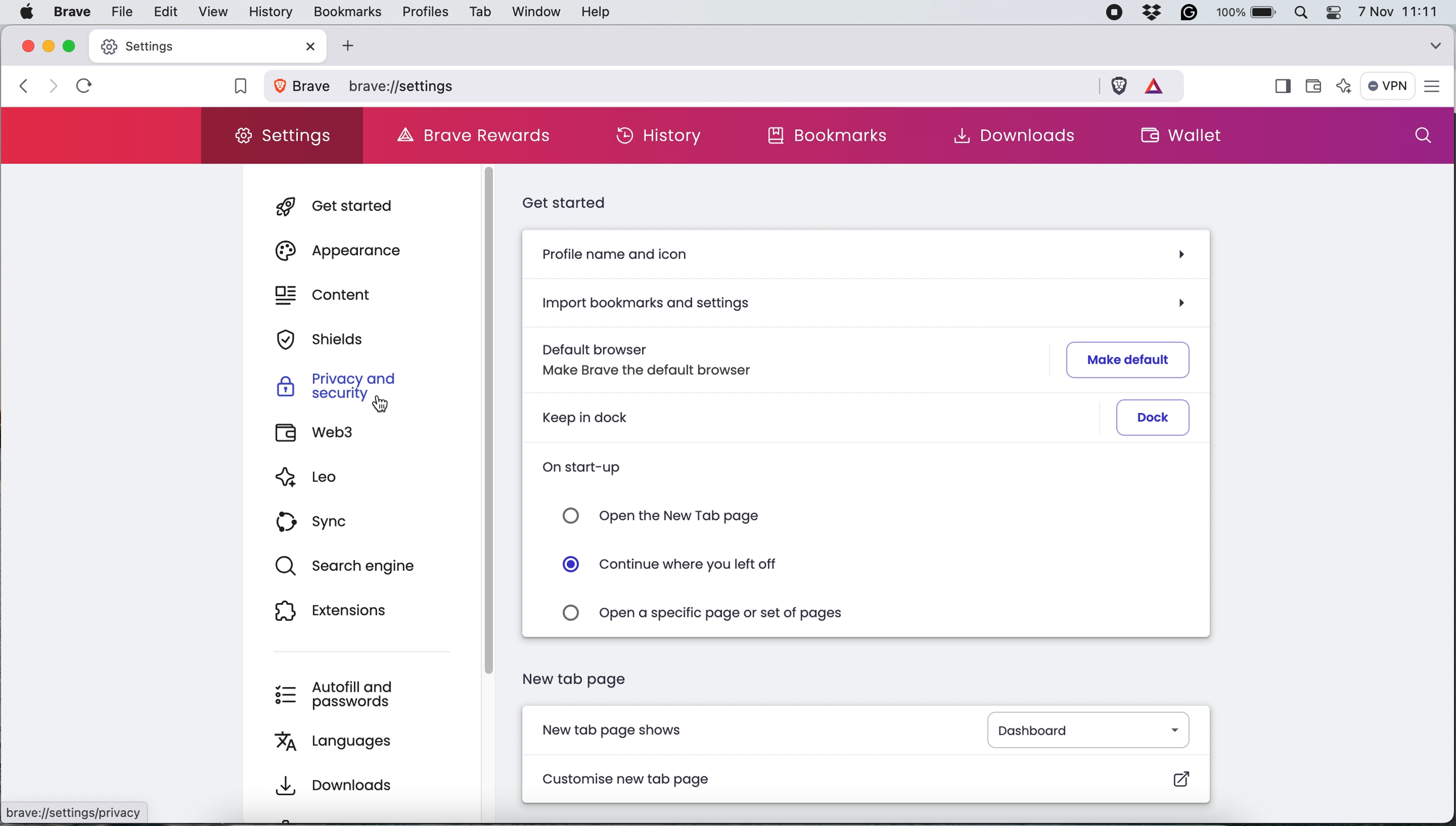 This screenshot has width=1456, height=826. Describe the element at coordinates (1345, 88) in the screenshot. I see `leo ai` at that location.